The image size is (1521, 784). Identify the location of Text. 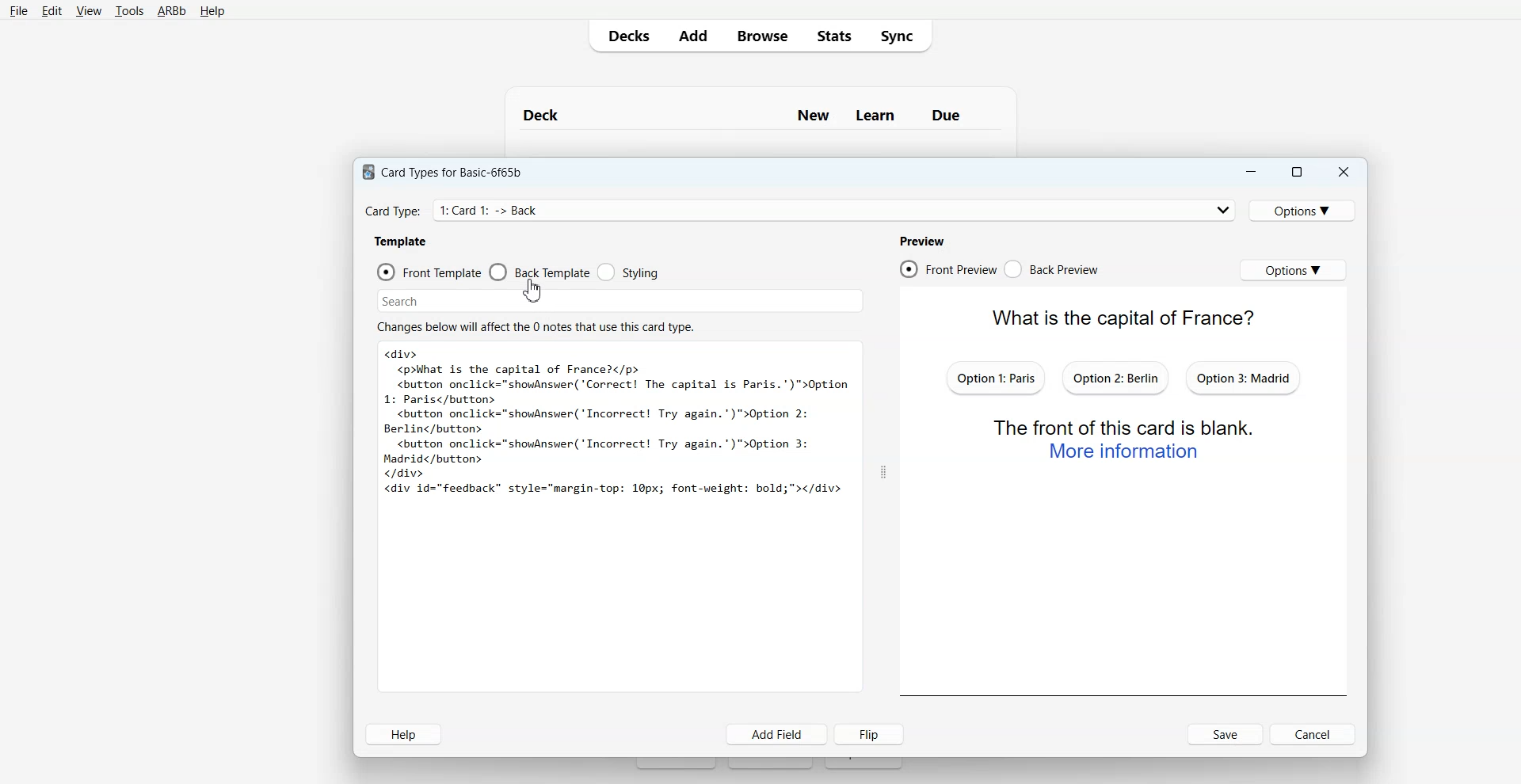
(760, 108).